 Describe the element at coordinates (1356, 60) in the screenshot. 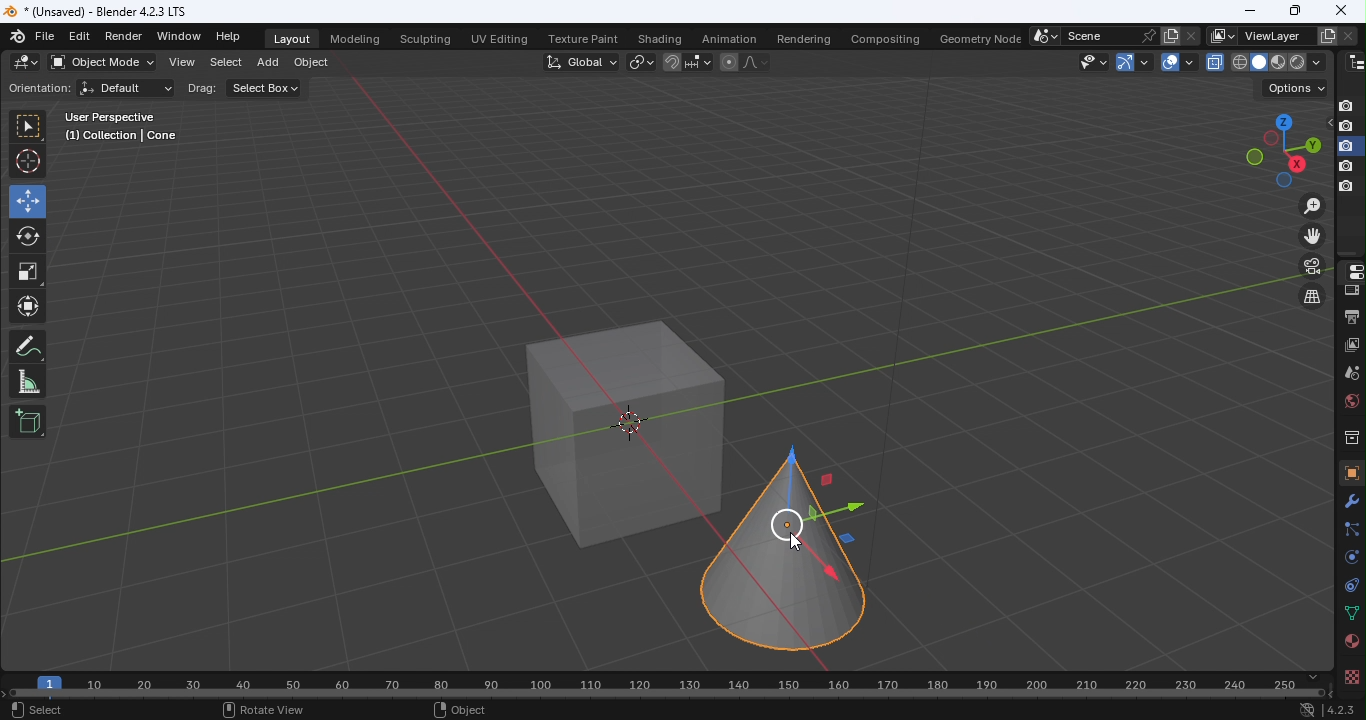

I see `Editor type` at that location.